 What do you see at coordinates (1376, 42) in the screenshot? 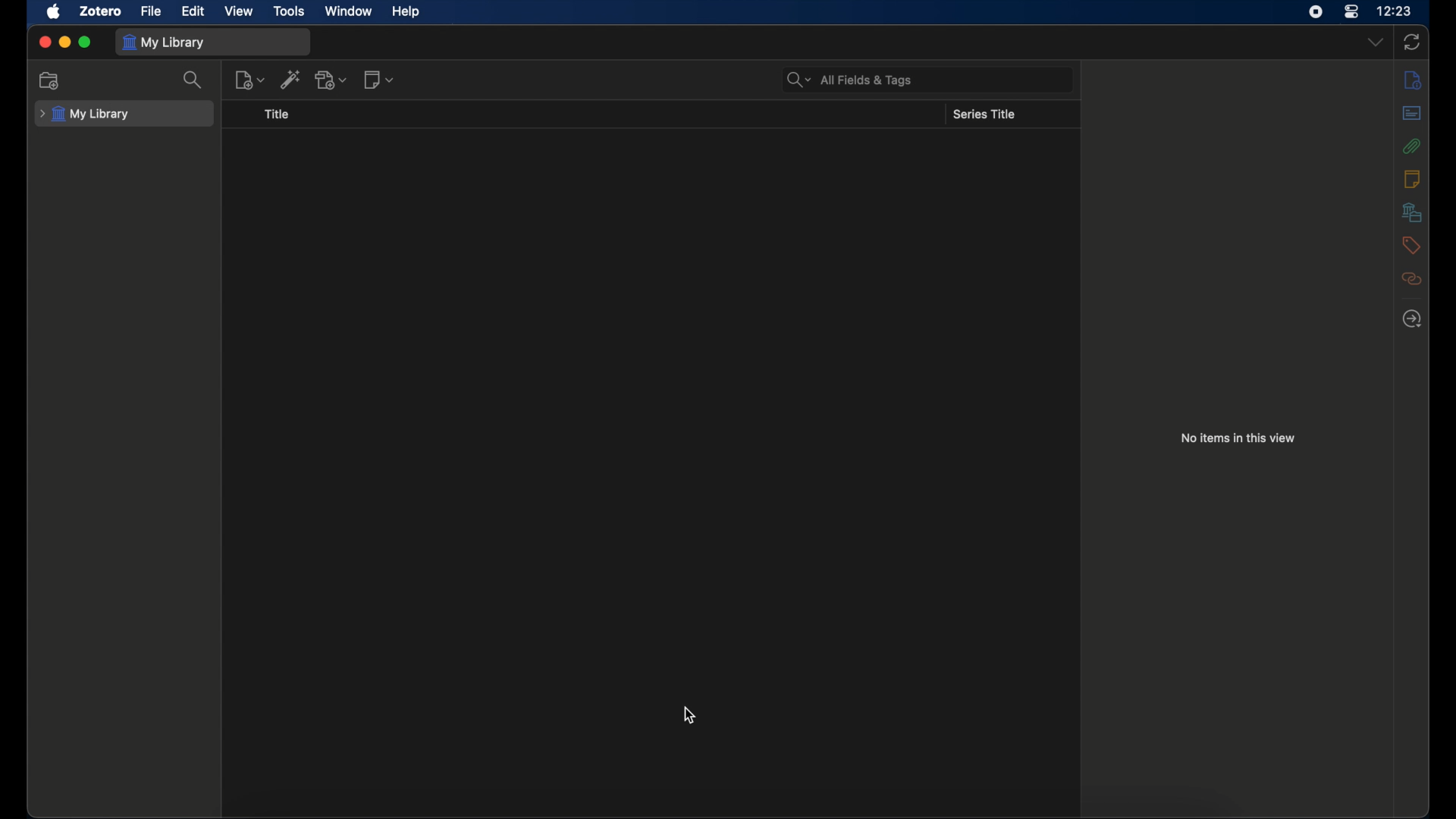
I see `dropdown` at bounding box center [1376, 42].